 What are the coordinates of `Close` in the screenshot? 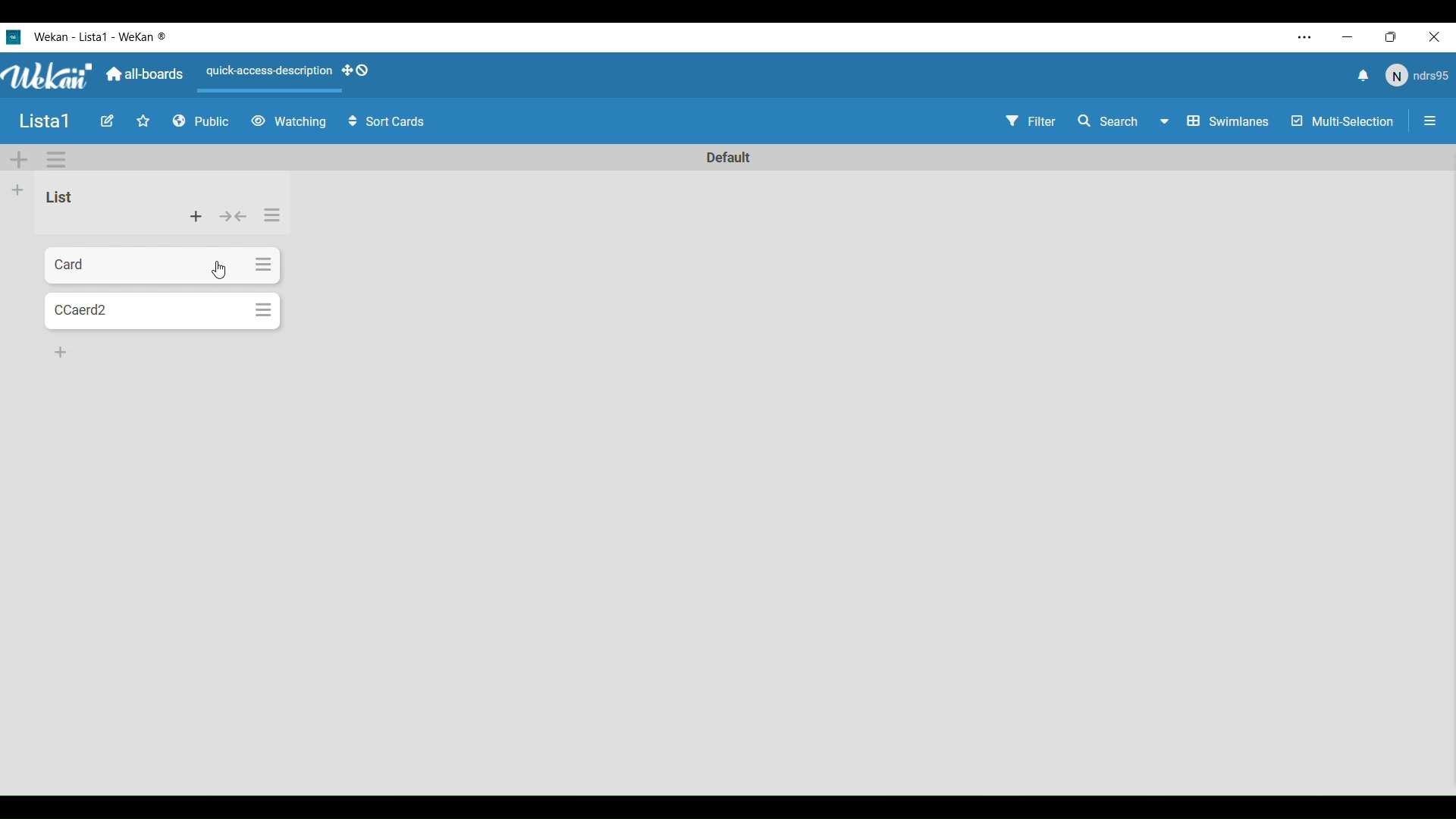 It's located at (1438, 38).